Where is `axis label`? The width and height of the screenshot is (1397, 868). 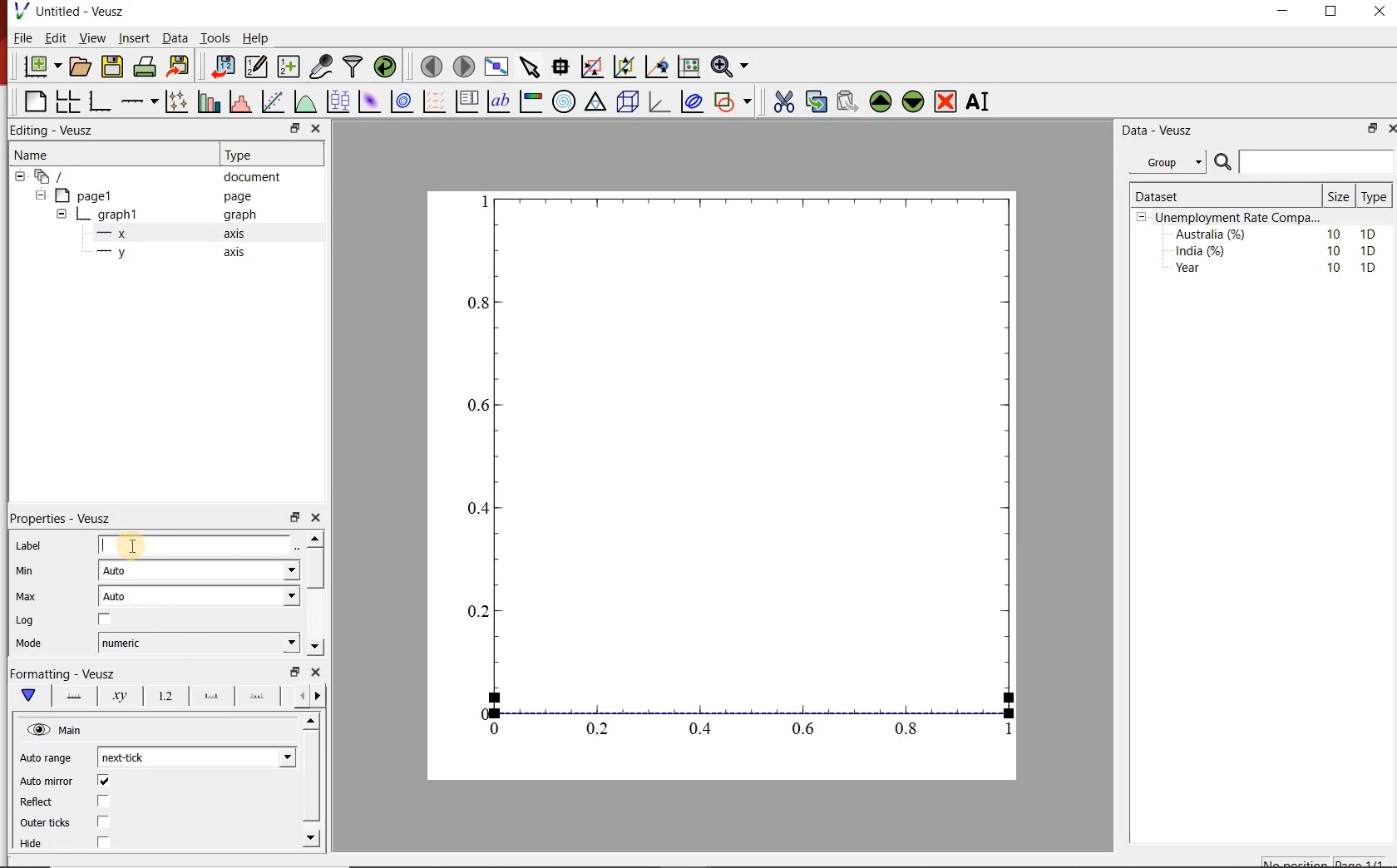 axis label is located at coordinates (119, 697).